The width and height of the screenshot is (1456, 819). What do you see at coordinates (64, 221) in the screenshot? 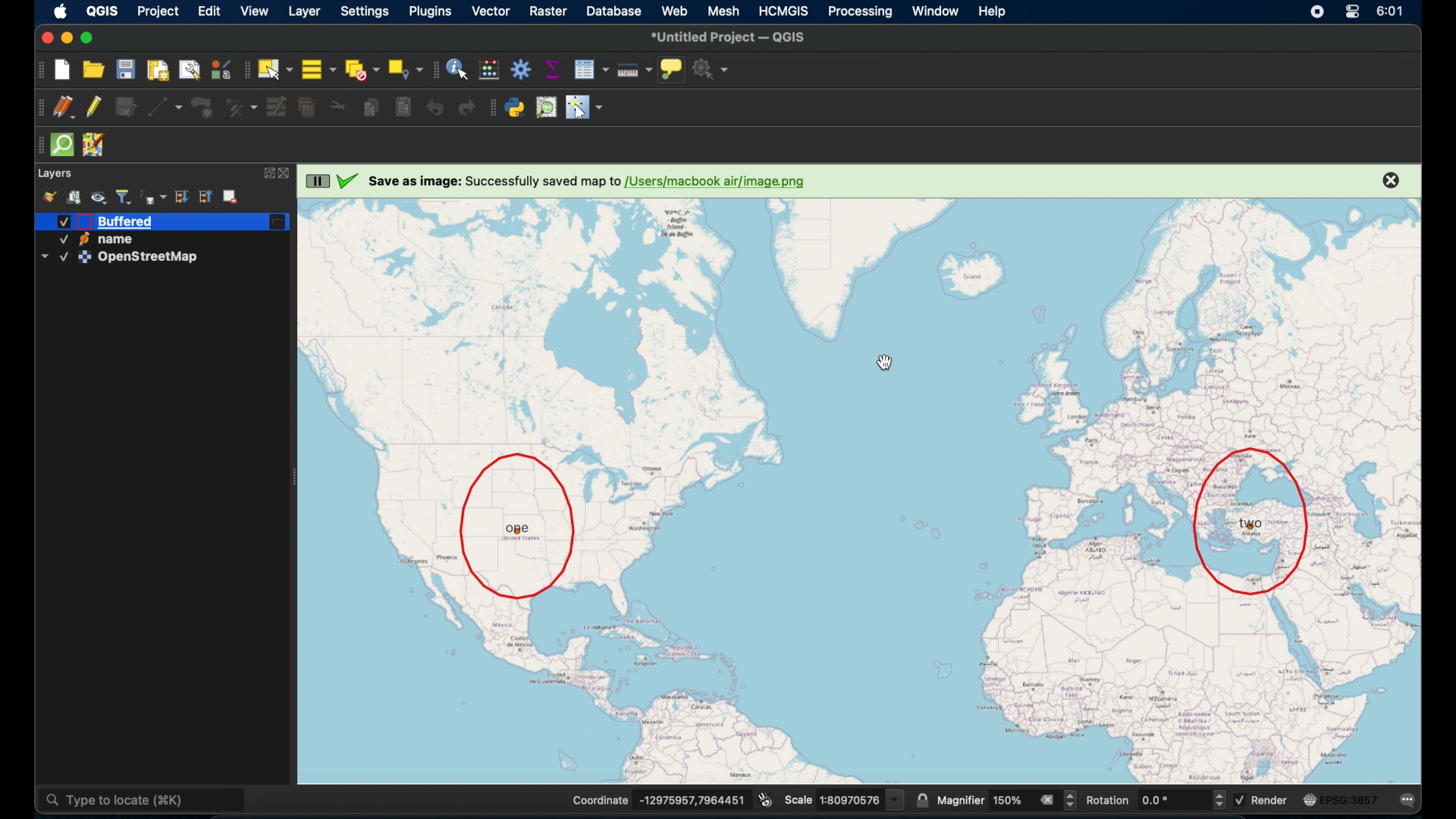
I see `Checked checkbox` at bounding box center [64, 221].